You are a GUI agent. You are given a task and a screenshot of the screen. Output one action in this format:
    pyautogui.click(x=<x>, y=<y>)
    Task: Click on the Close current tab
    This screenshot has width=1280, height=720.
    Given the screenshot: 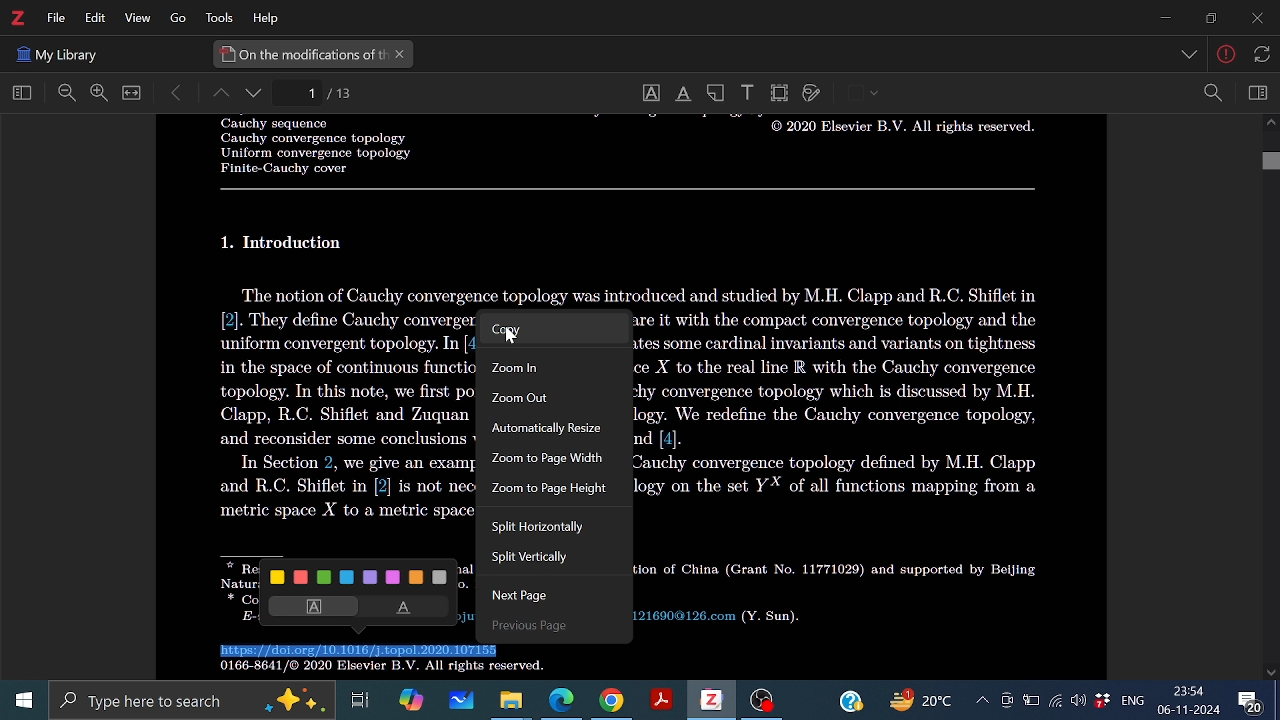 What is the action you would take?
    pyautogui.click(x=401, y=55)
    